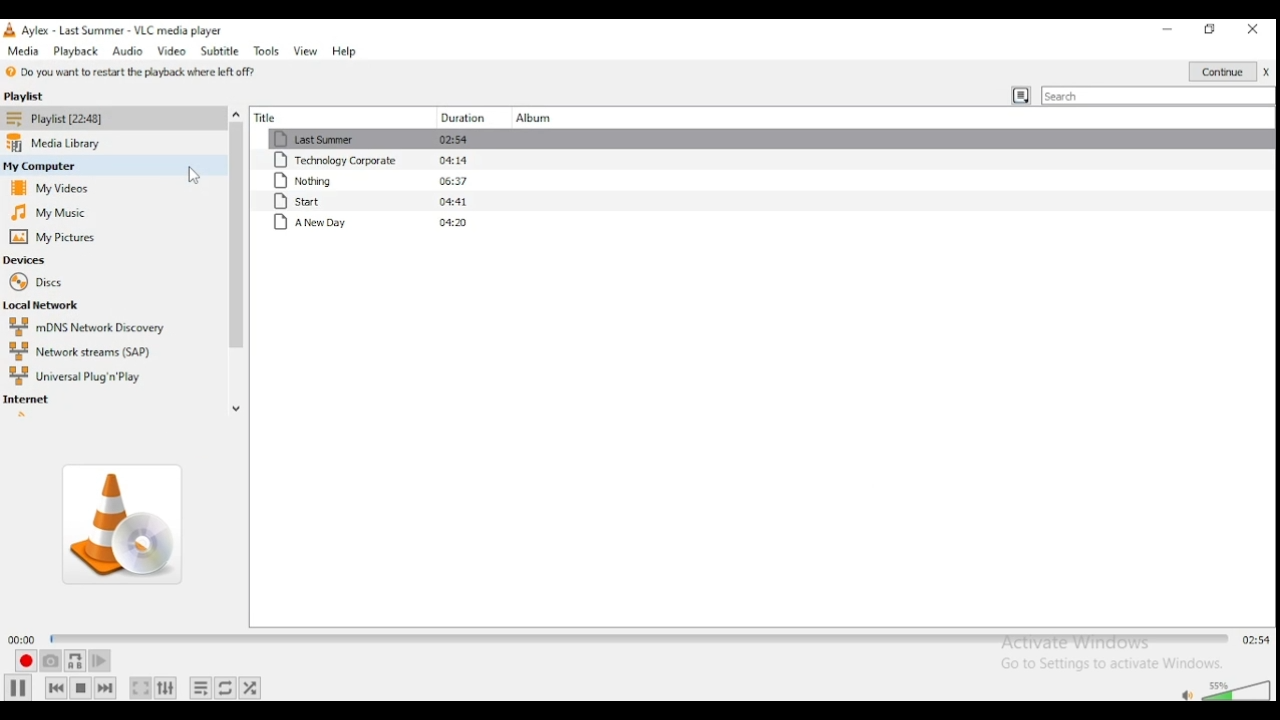 The height and width of the screenshot is (720, 1280). What do you see at coordinates (81, 686) in the screenshot?
I see `stop` at bounding box center [81, 686].